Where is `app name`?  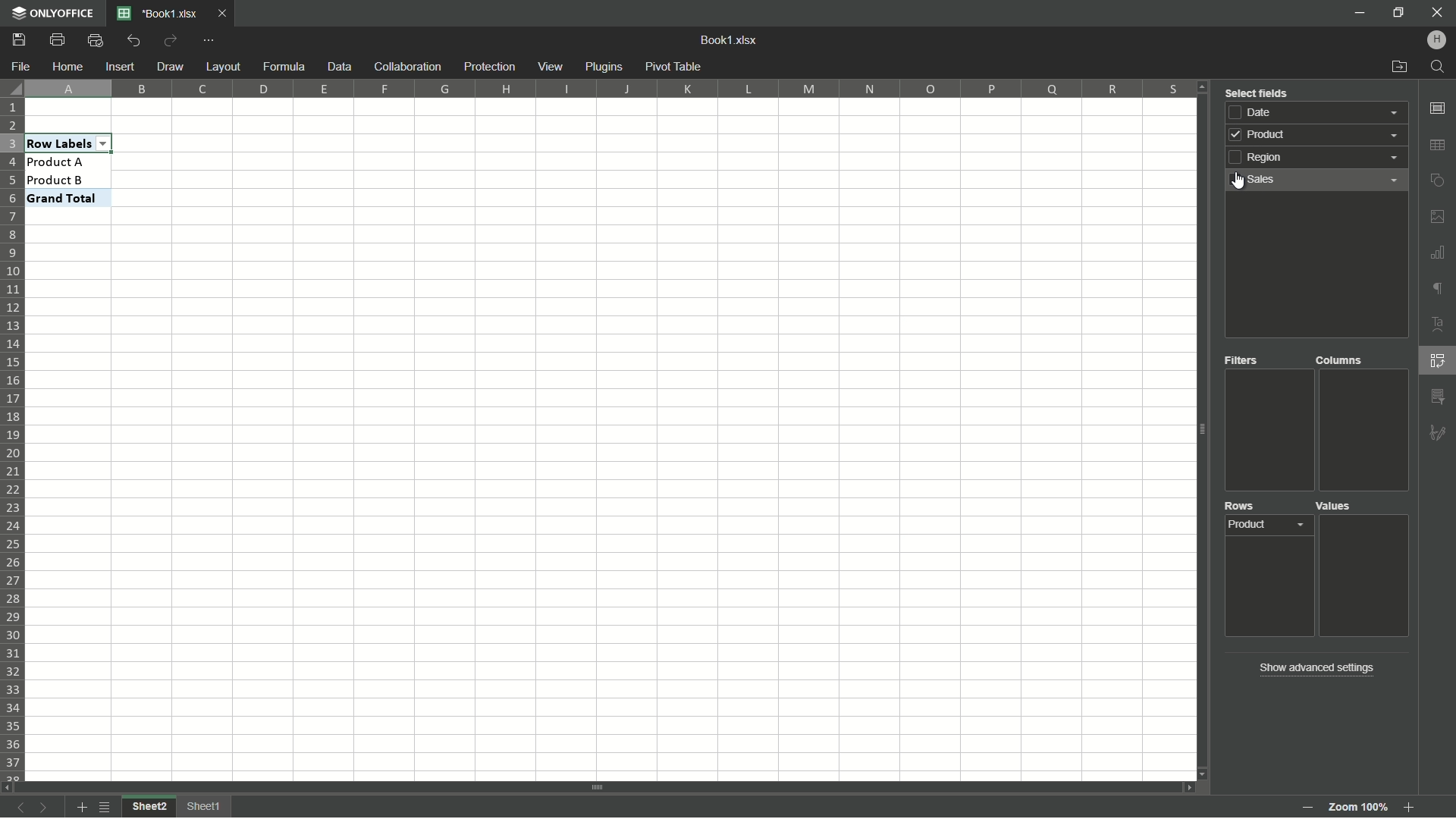 app name is located at coordinates (52, 14).